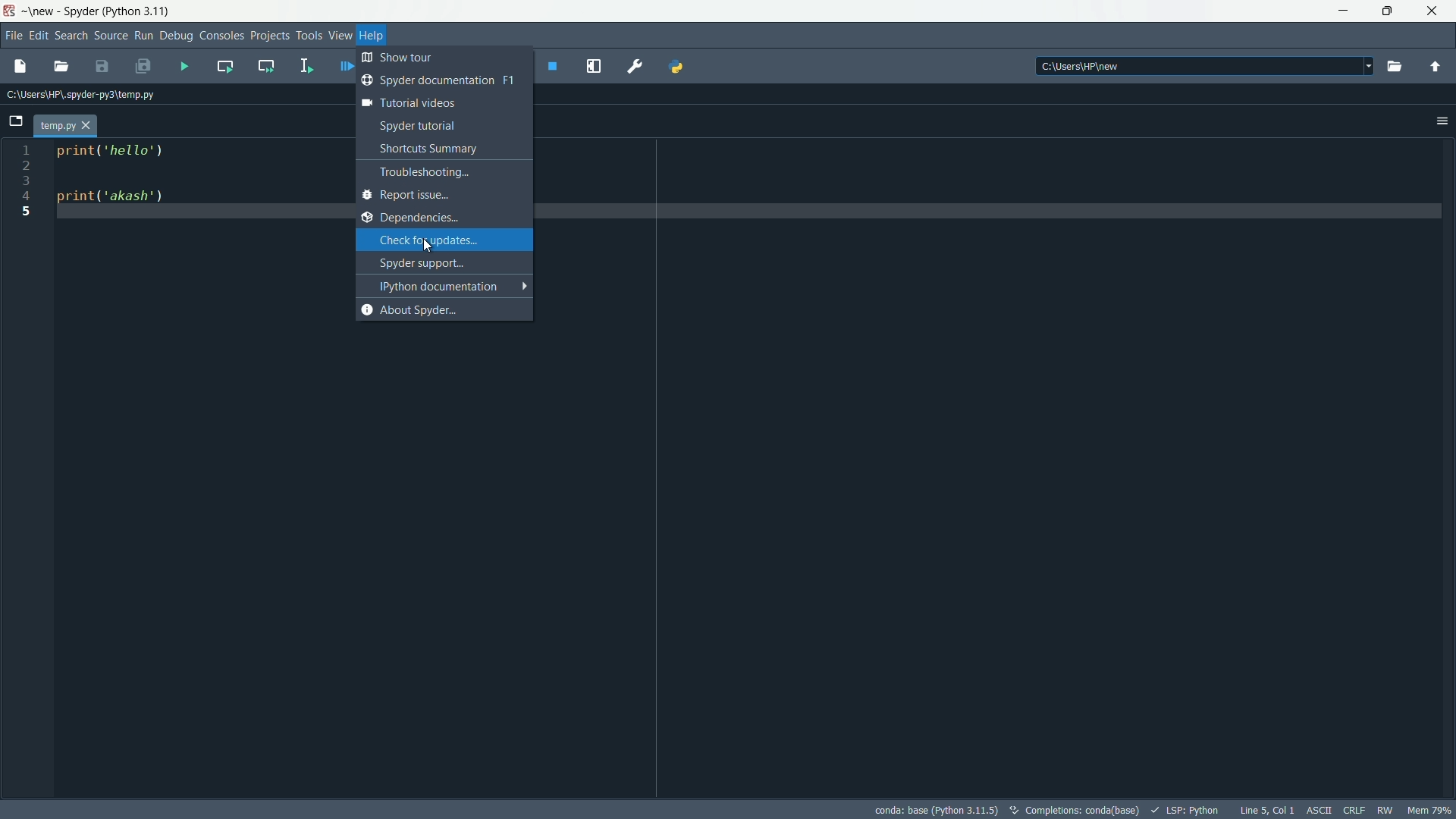 The width and height of the screenshot is (1456, 819). Describe the element at coordinates (221, 35) in the screenshot. I see `consoles menu` at that location.